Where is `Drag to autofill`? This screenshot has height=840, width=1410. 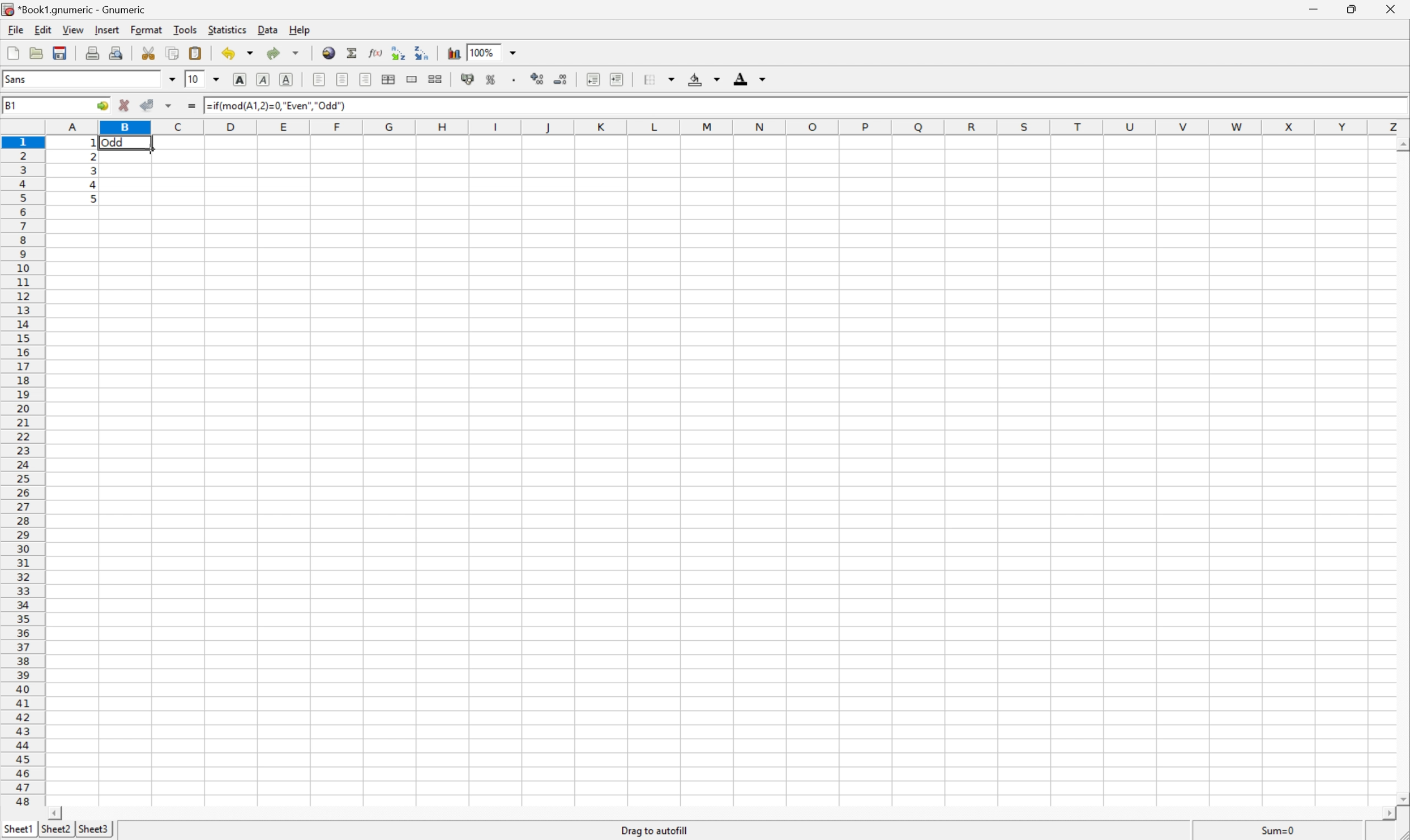
Drag to autofill is located at coordinates (653, 830).